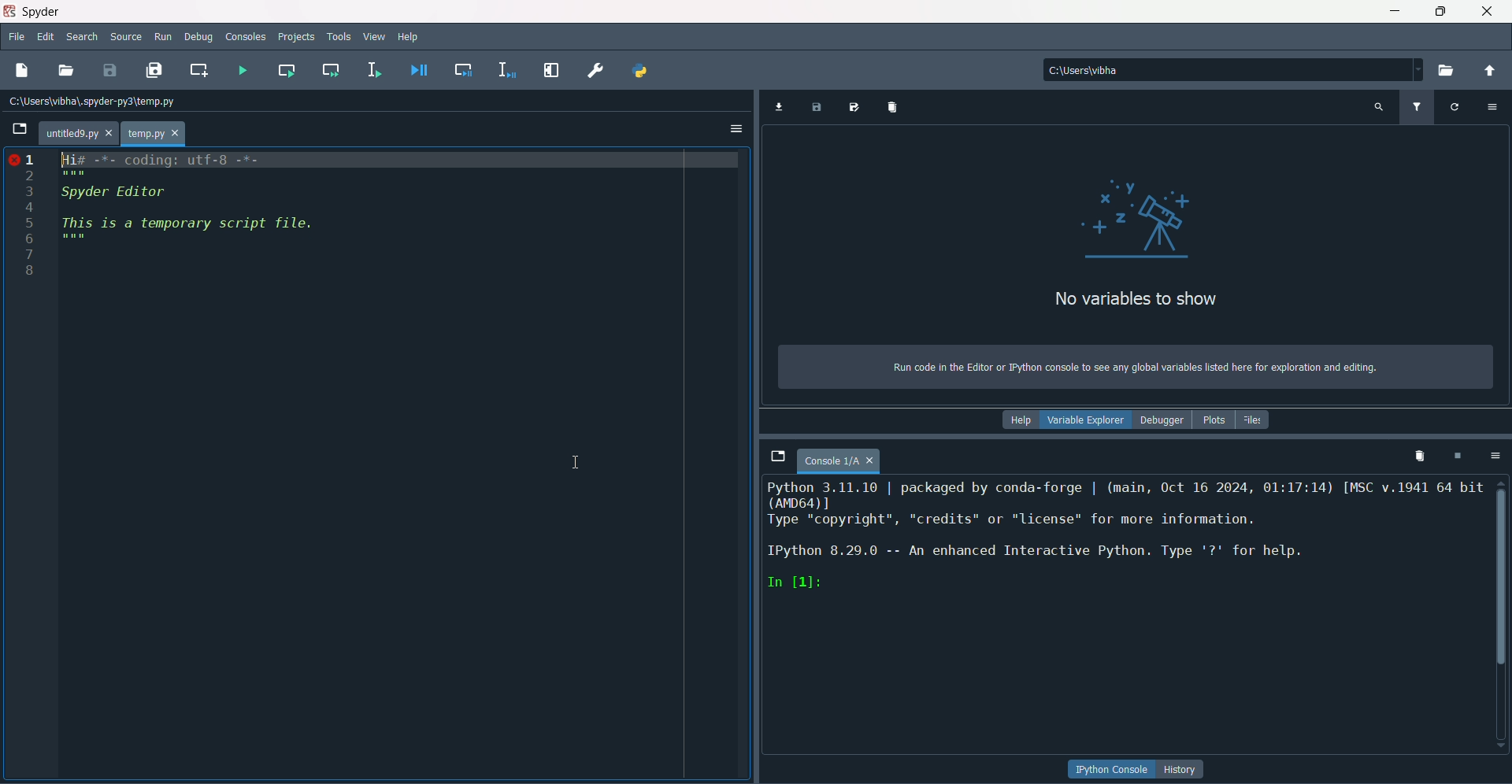 This screenshot has width=1512, height=784. Describe the element at coordinates (1457, 107) in the screenshot. I see `refresh variable` at that location.